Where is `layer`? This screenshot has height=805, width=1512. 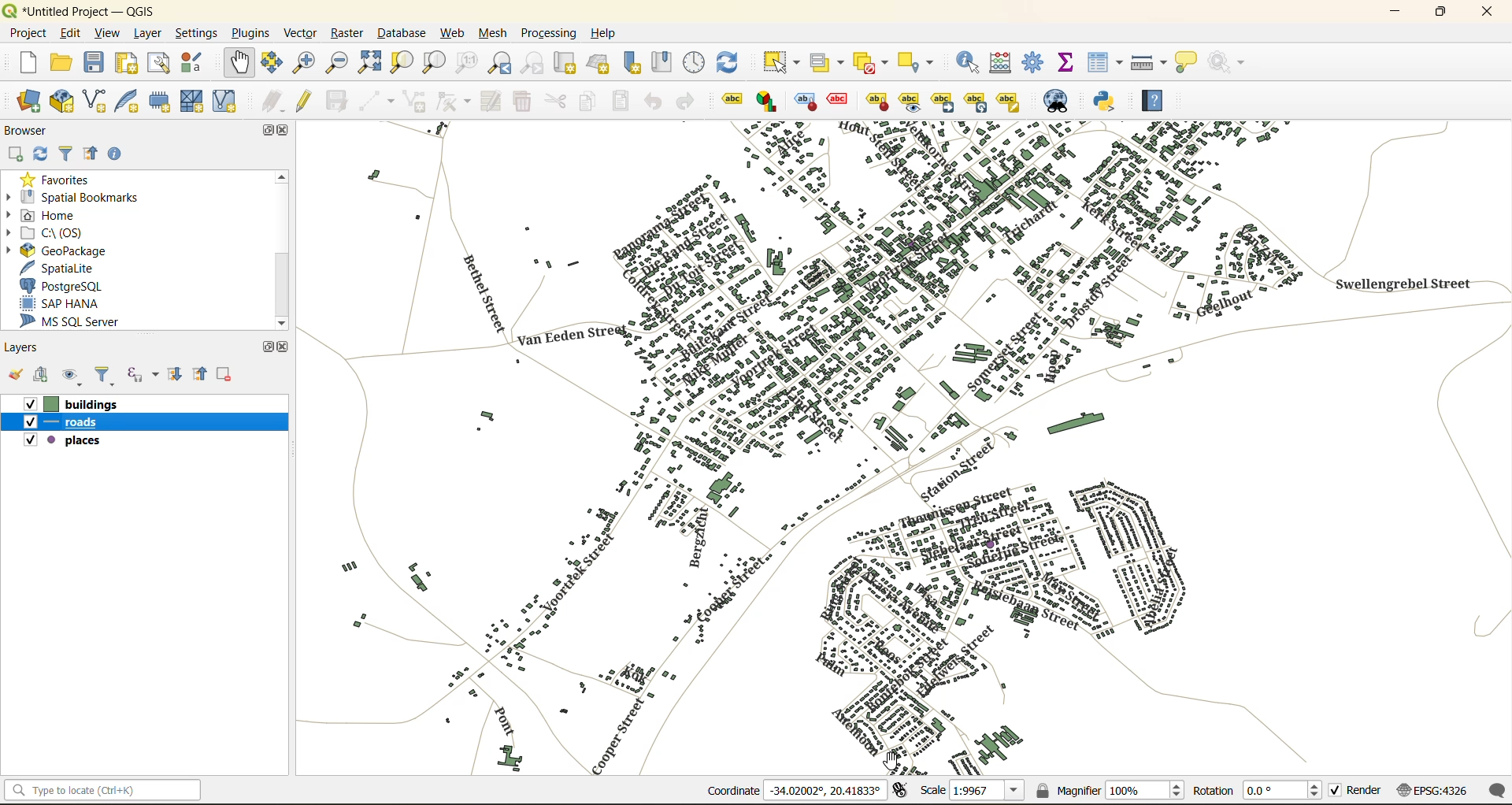 layer is located at coordinates (146, 35).